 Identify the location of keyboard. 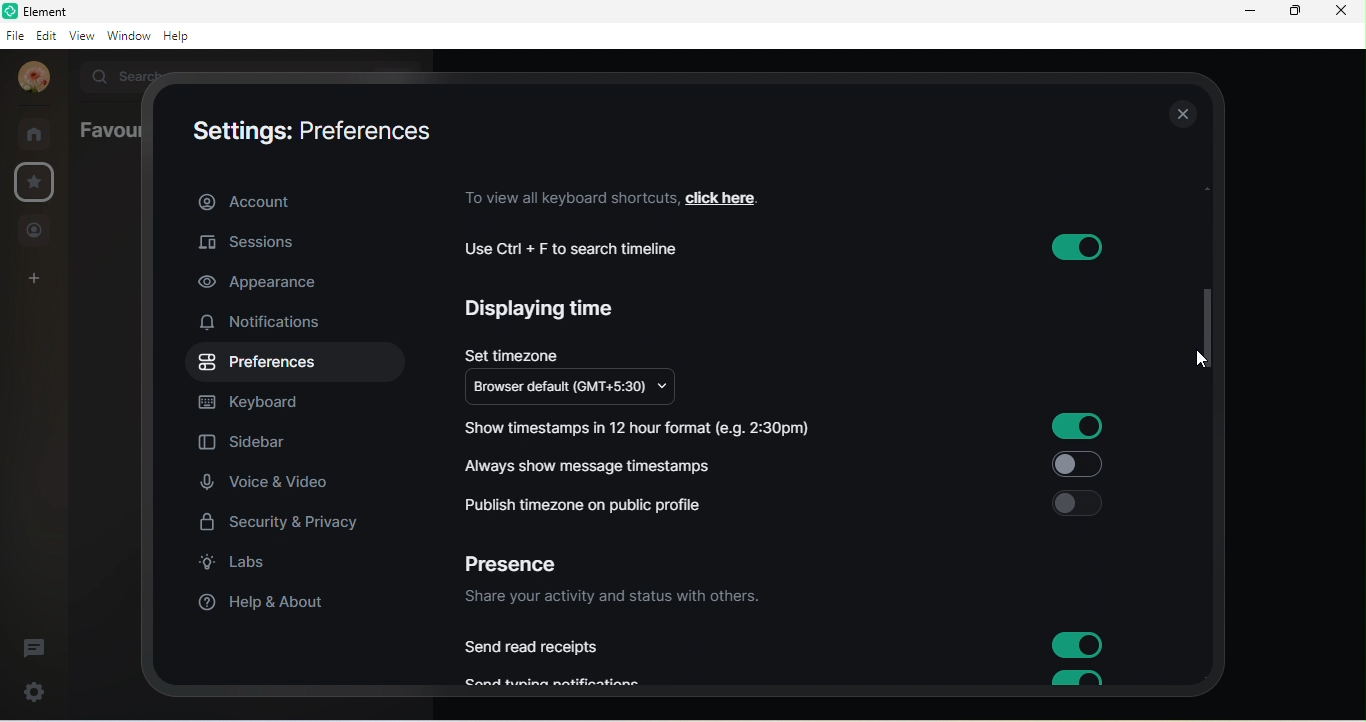
(264, 402).